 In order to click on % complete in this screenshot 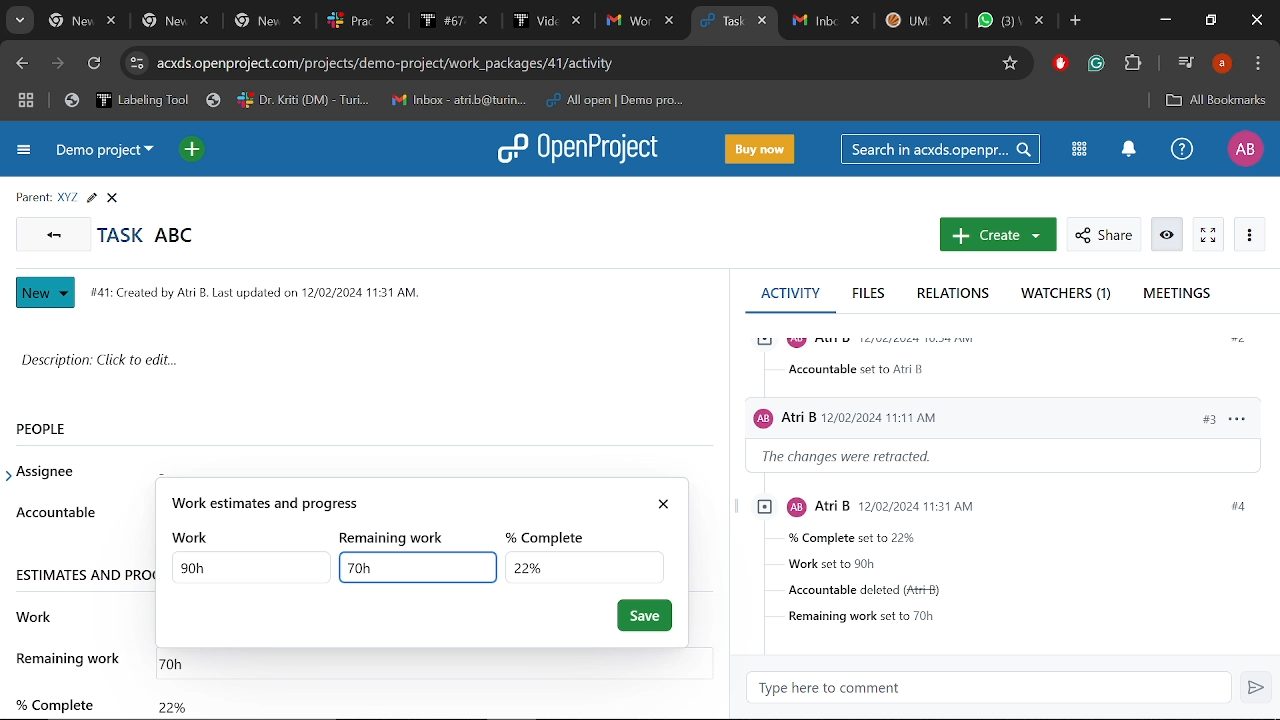, I will do `click(53, 696)`.